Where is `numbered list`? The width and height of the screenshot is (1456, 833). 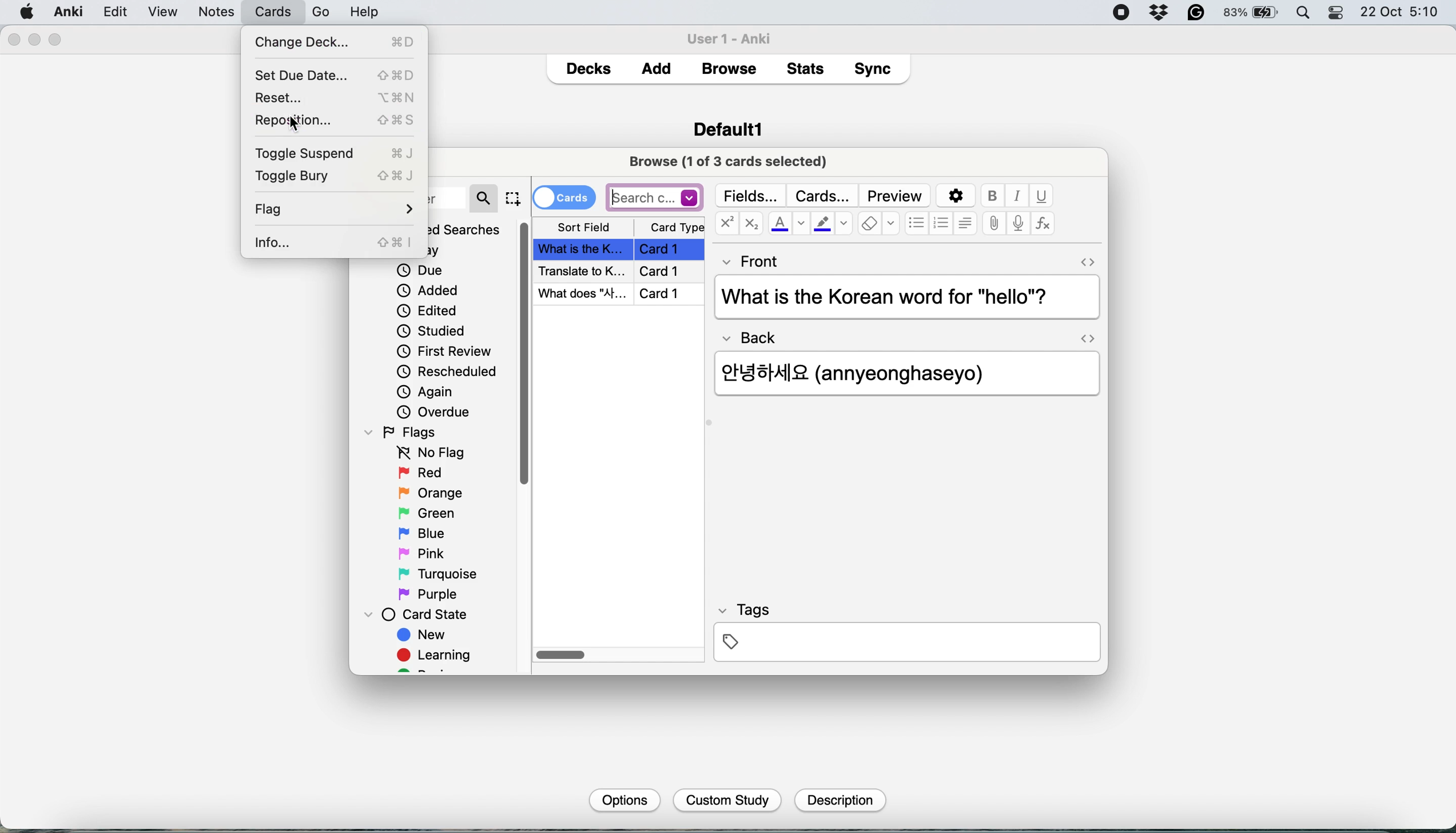 numbered list is located at coordinates (942, 225).